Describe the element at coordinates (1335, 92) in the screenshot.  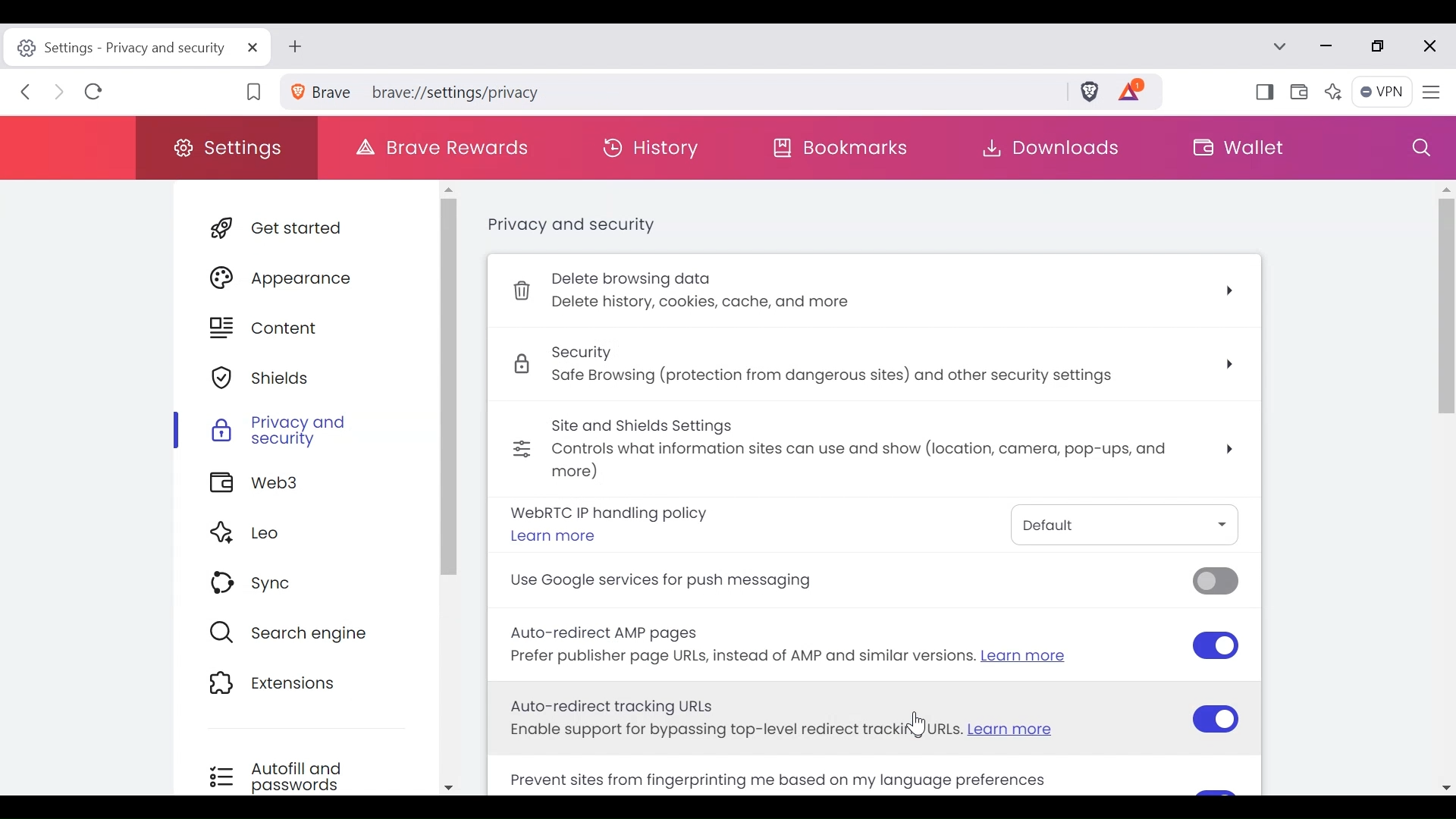
I see `Leo AI` at that location.